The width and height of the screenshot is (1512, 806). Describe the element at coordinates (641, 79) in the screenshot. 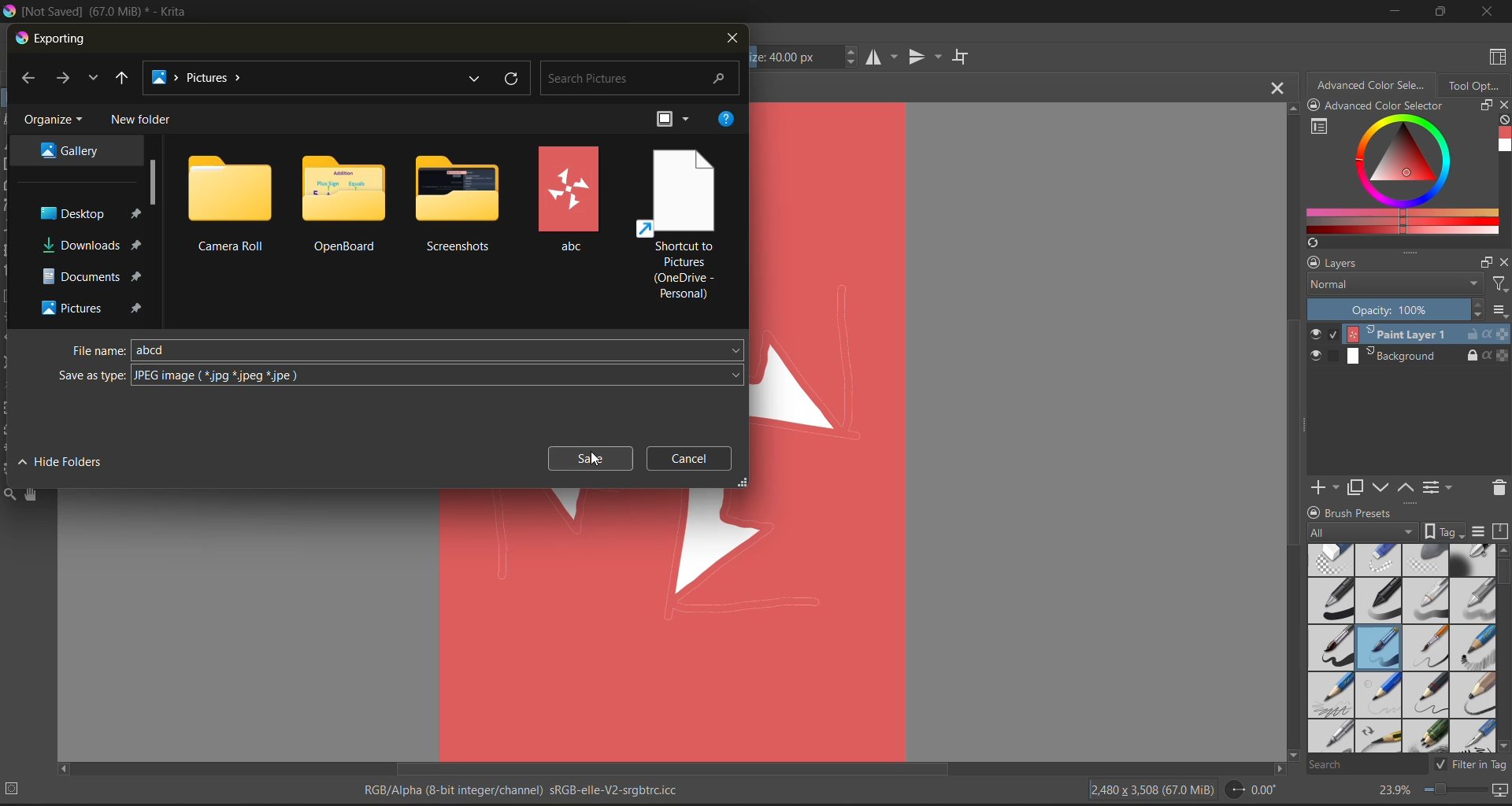

I see `search` at that location.